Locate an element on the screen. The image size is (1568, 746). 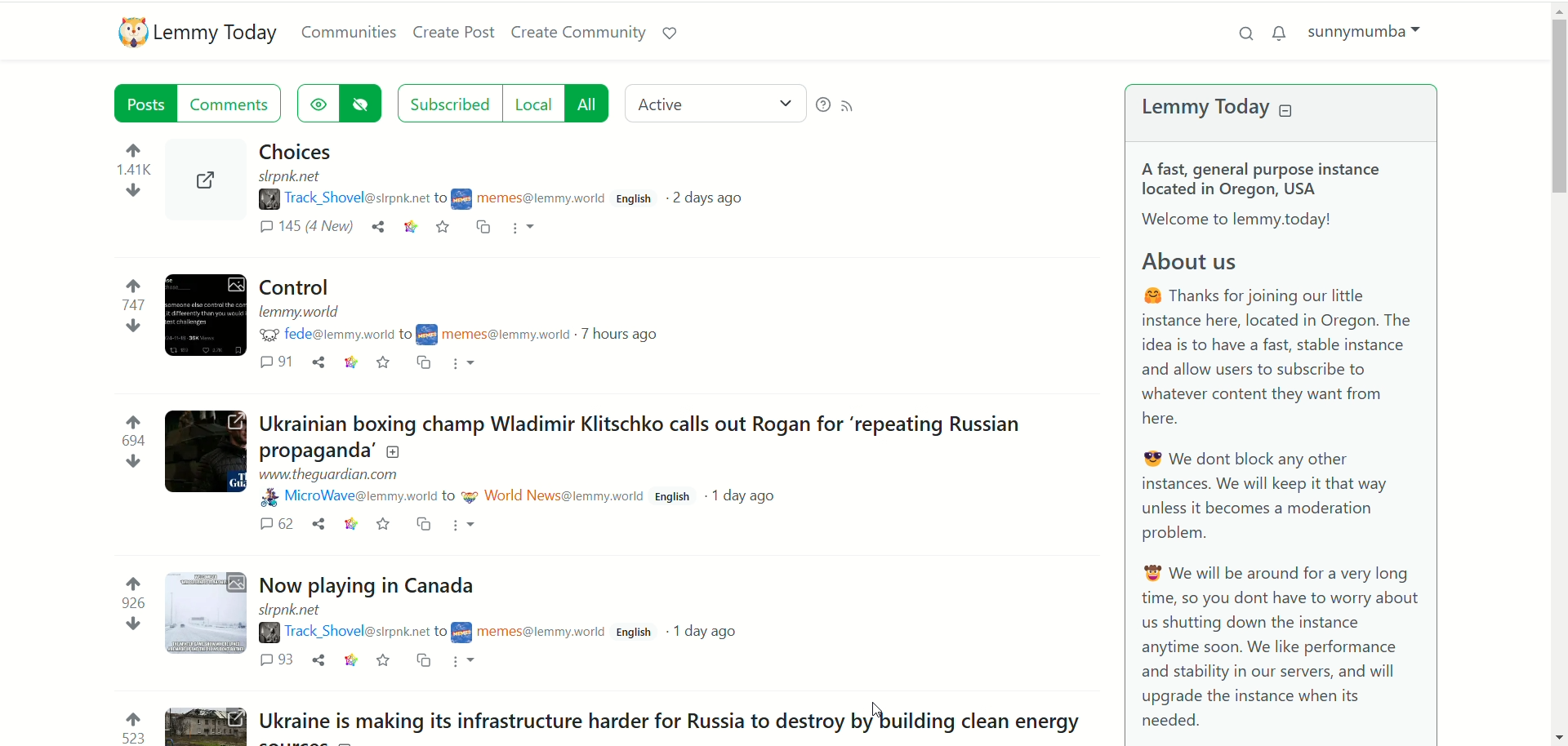
username is located at coordinates (352, 497).